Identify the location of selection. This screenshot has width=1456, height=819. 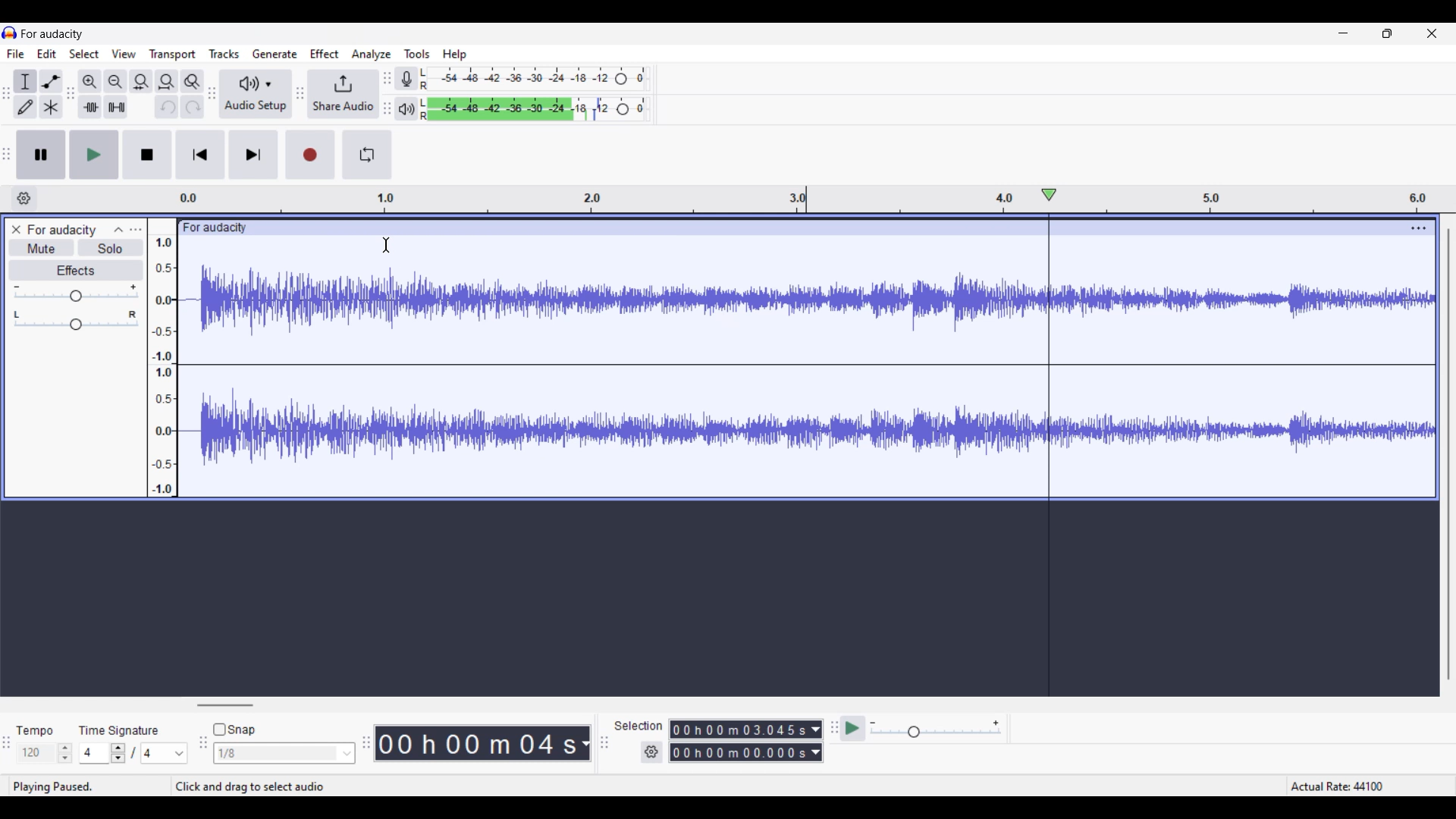
(638, 725).